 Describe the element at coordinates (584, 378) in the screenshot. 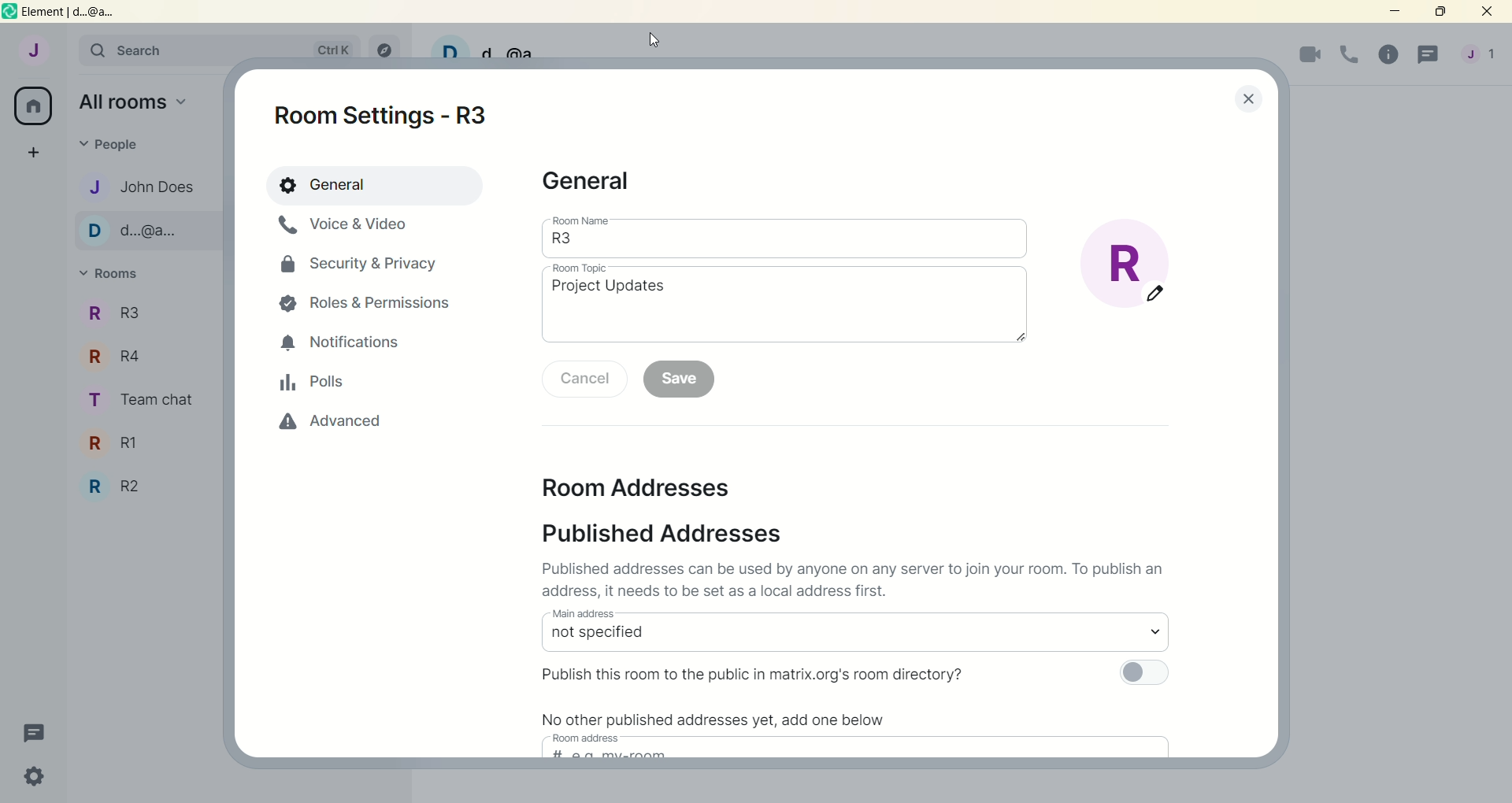

I see `cancel` at that location.